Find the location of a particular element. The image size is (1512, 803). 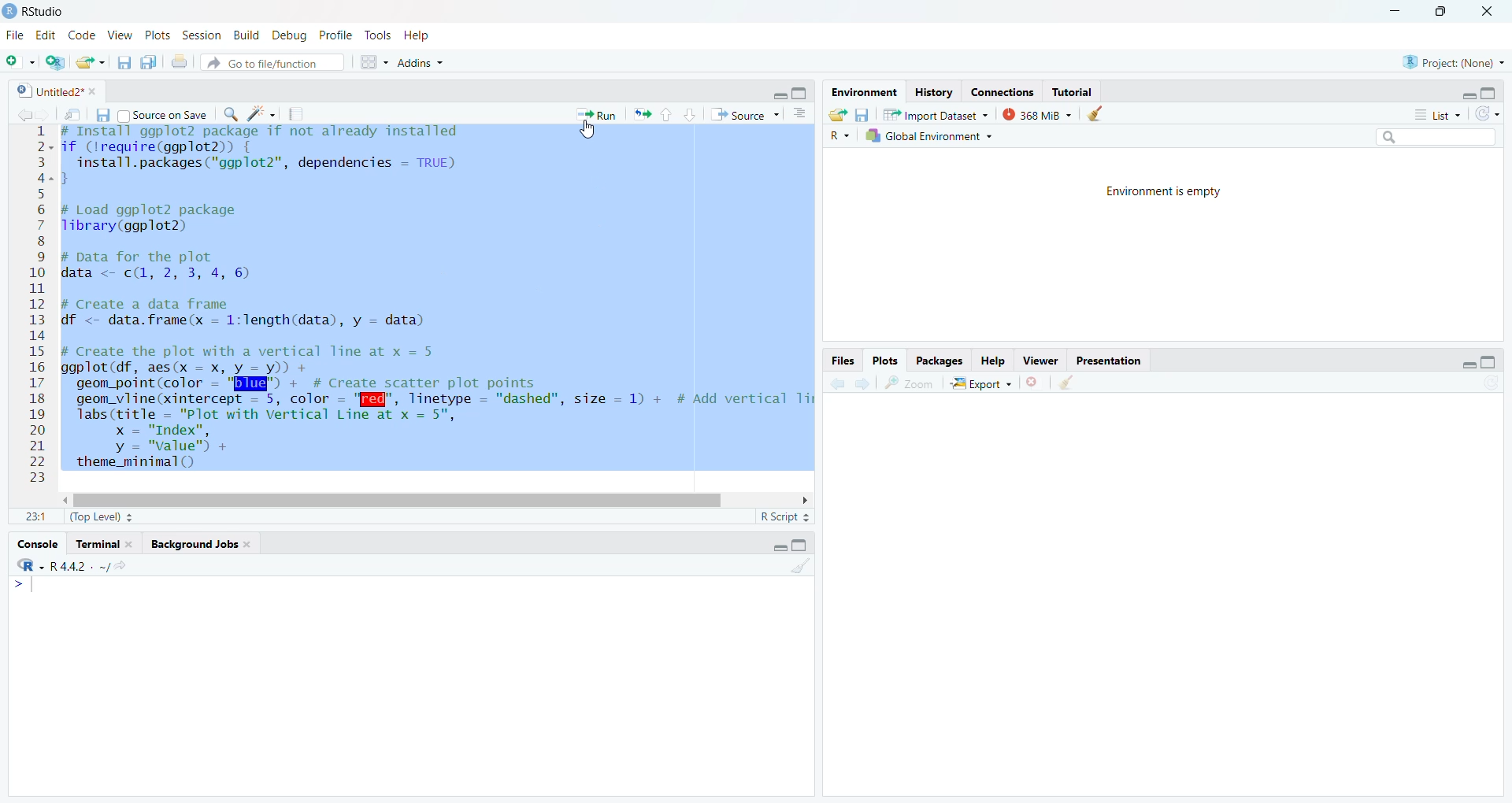

| Debug is located at coordinates (291, 36).